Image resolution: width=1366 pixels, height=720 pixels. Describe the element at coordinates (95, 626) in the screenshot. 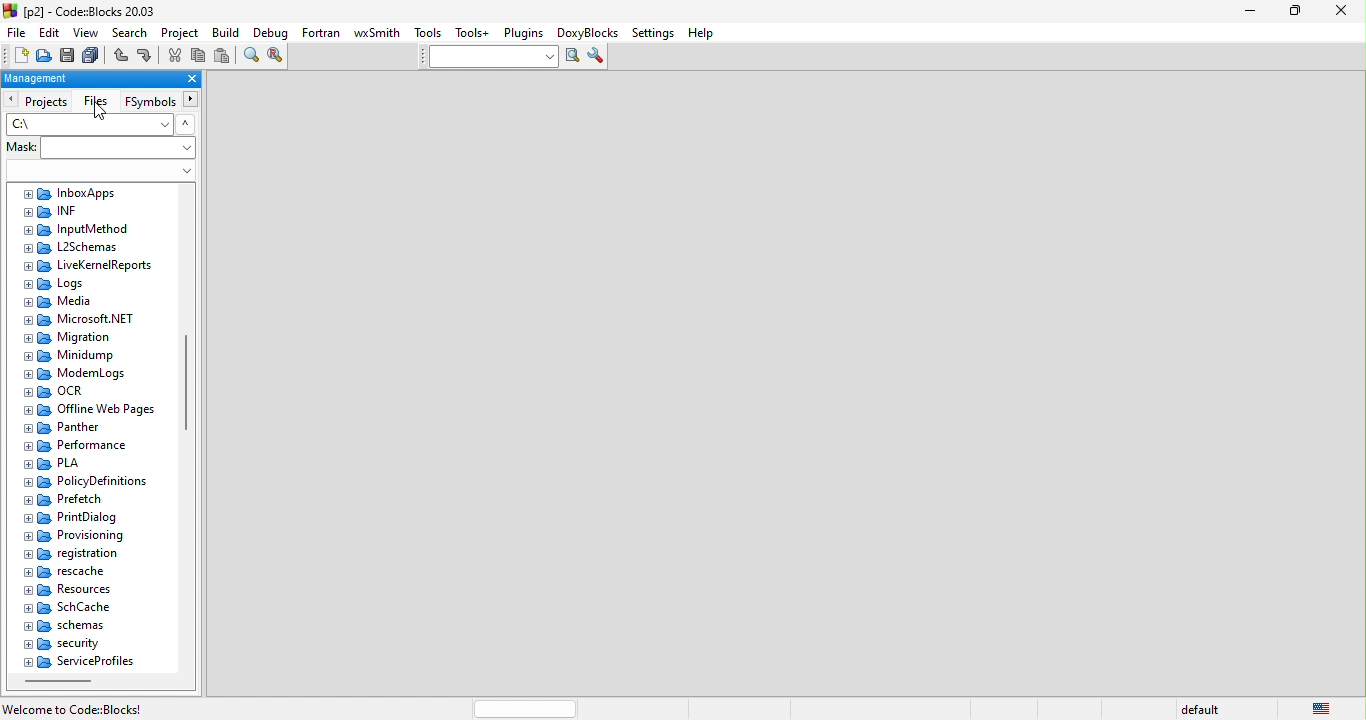

I see `schemas` at that location.